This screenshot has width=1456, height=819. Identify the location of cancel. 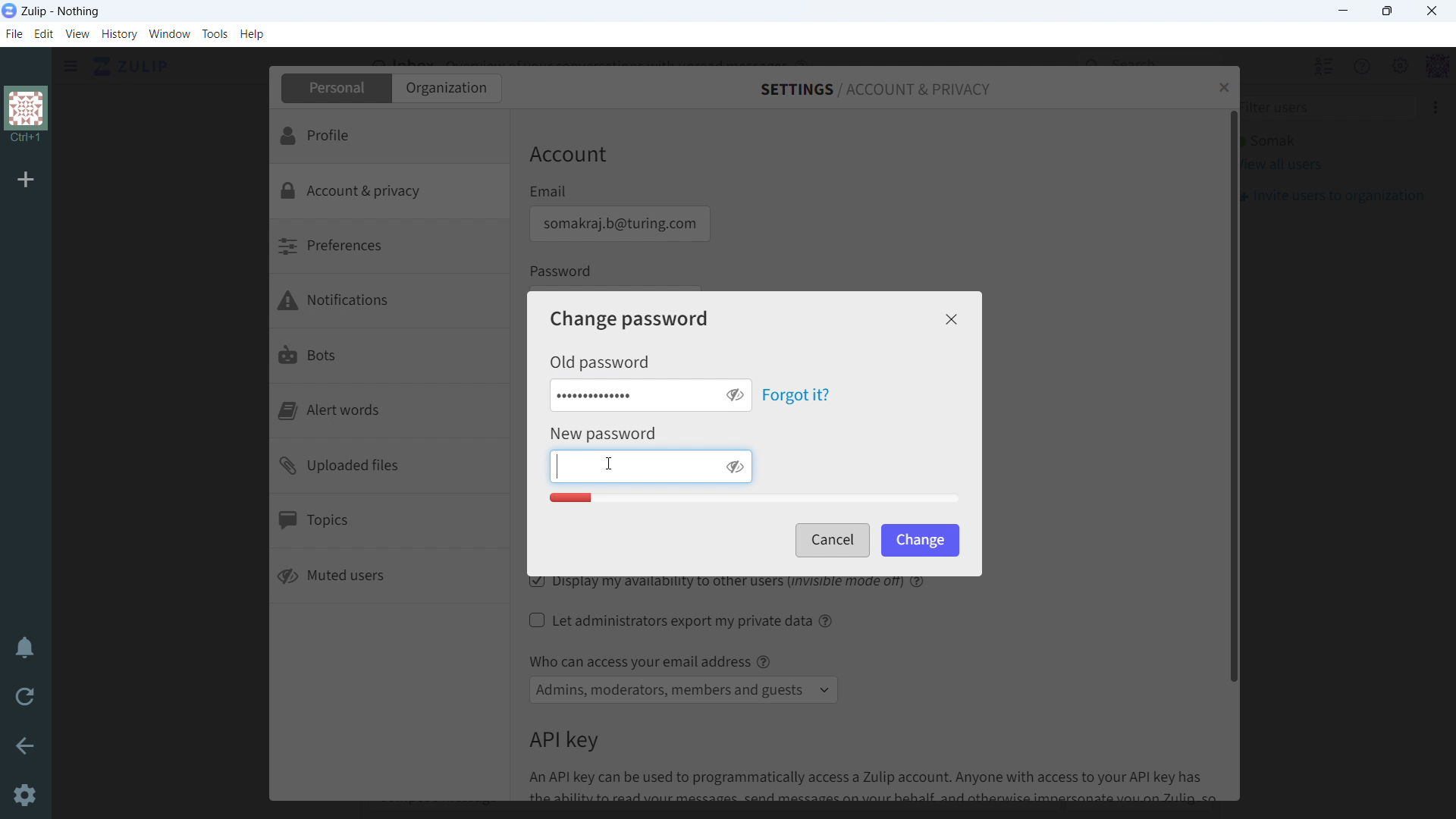
(832, 541).